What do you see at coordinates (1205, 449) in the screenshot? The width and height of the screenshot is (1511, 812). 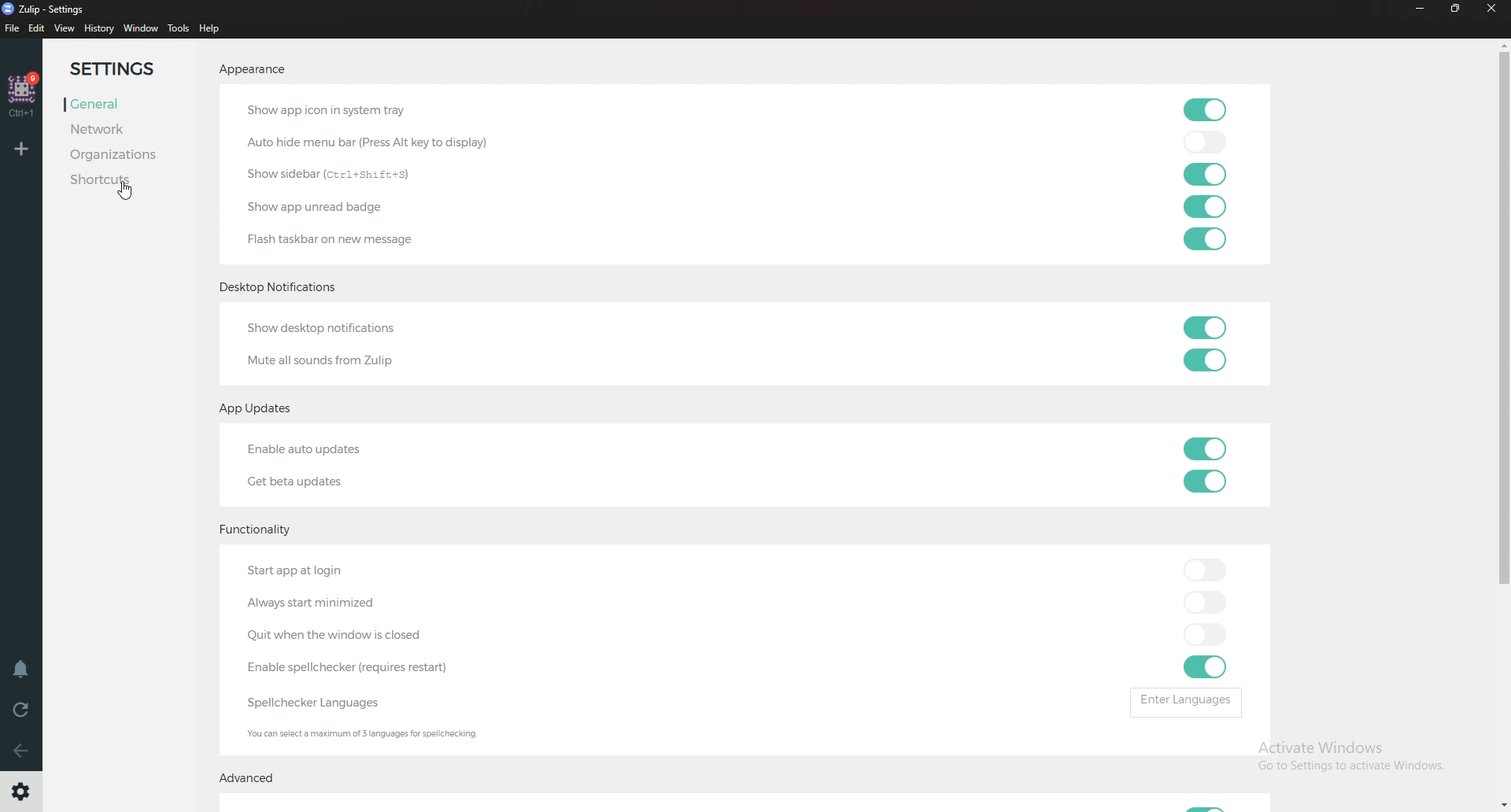 I see `toggle` at bounding box center [1205, 449].